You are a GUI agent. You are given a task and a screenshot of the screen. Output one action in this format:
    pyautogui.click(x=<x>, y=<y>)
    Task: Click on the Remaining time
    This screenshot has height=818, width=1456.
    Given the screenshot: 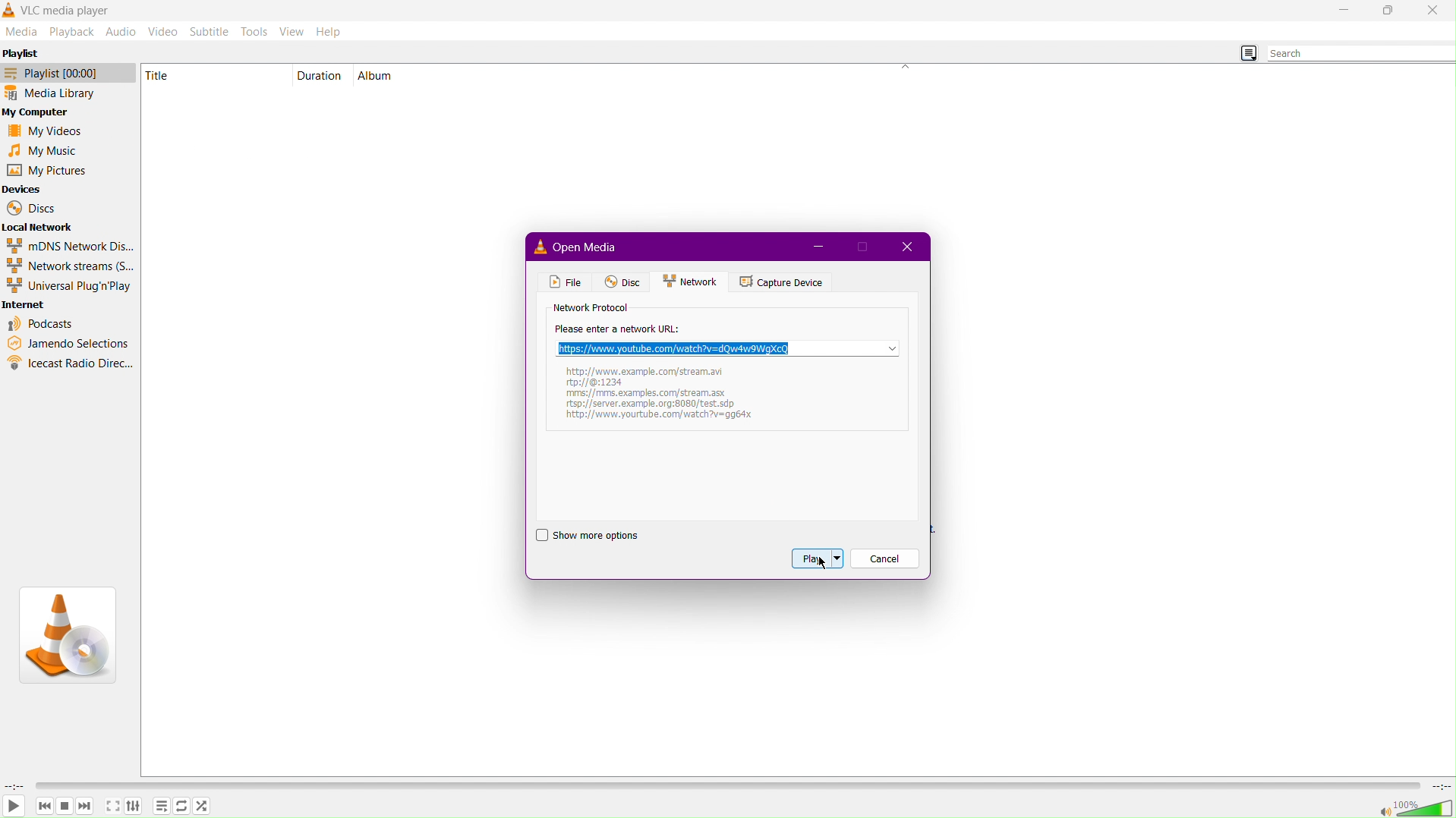 What is the action you would take?
    pyautogui.click(x=1439, y=786)
    